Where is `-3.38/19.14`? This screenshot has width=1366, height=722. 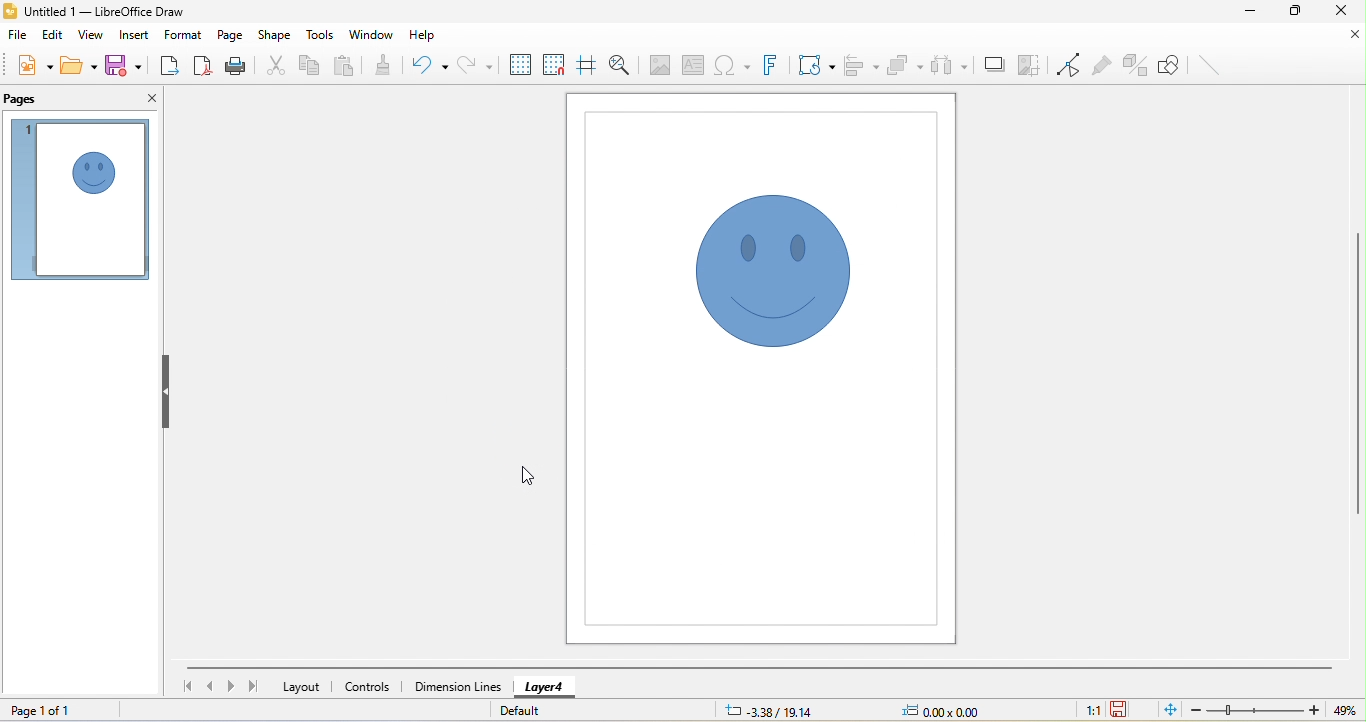 -3.38/19.14 is located at coordinates (772, 712).